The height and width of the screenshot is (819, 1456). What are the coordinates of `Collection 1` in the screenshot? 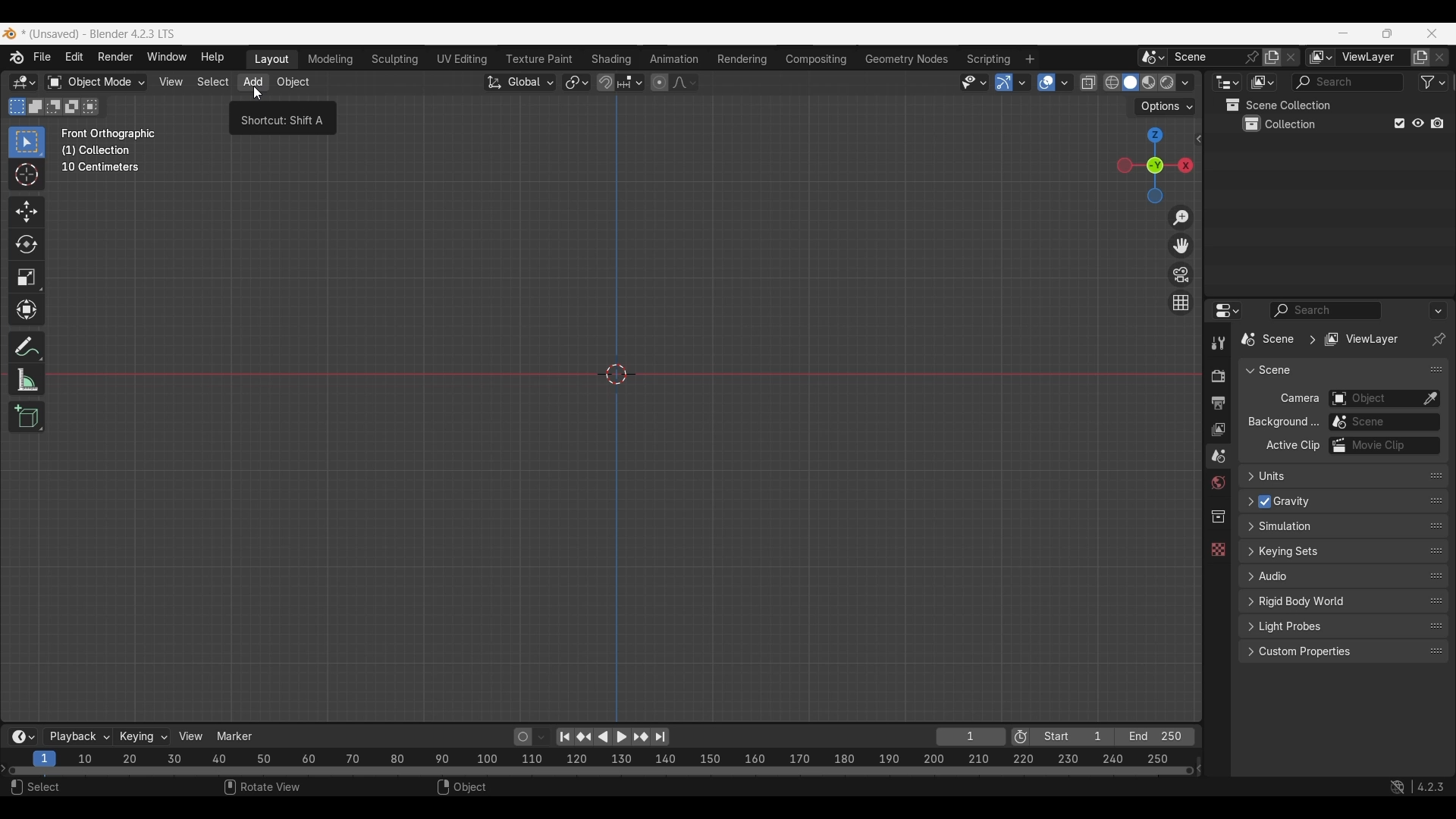 It's located at (1283, 124).